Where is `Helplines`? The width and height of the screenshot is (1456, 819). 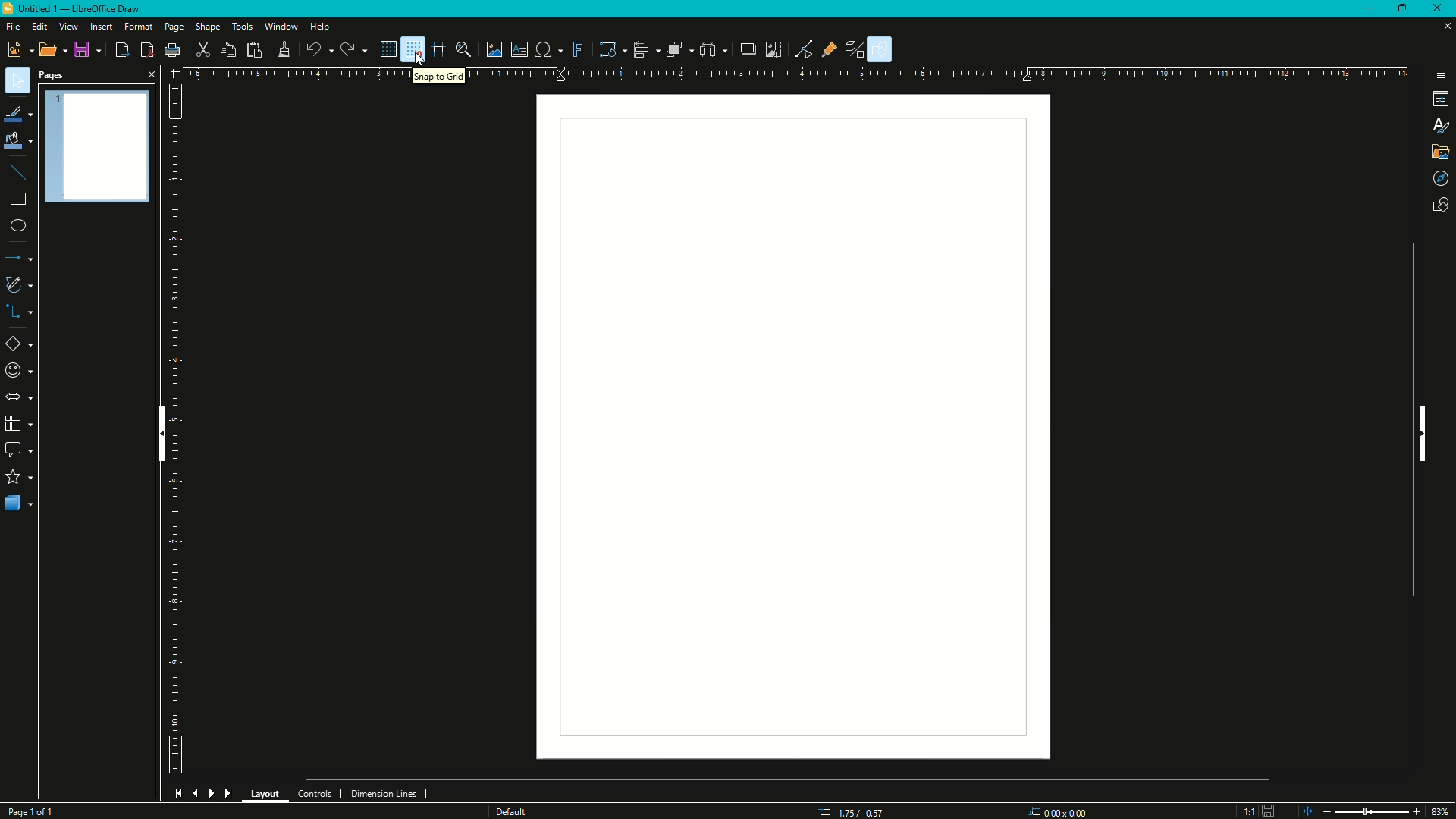
Helplines is located at coordinates (439, 49).